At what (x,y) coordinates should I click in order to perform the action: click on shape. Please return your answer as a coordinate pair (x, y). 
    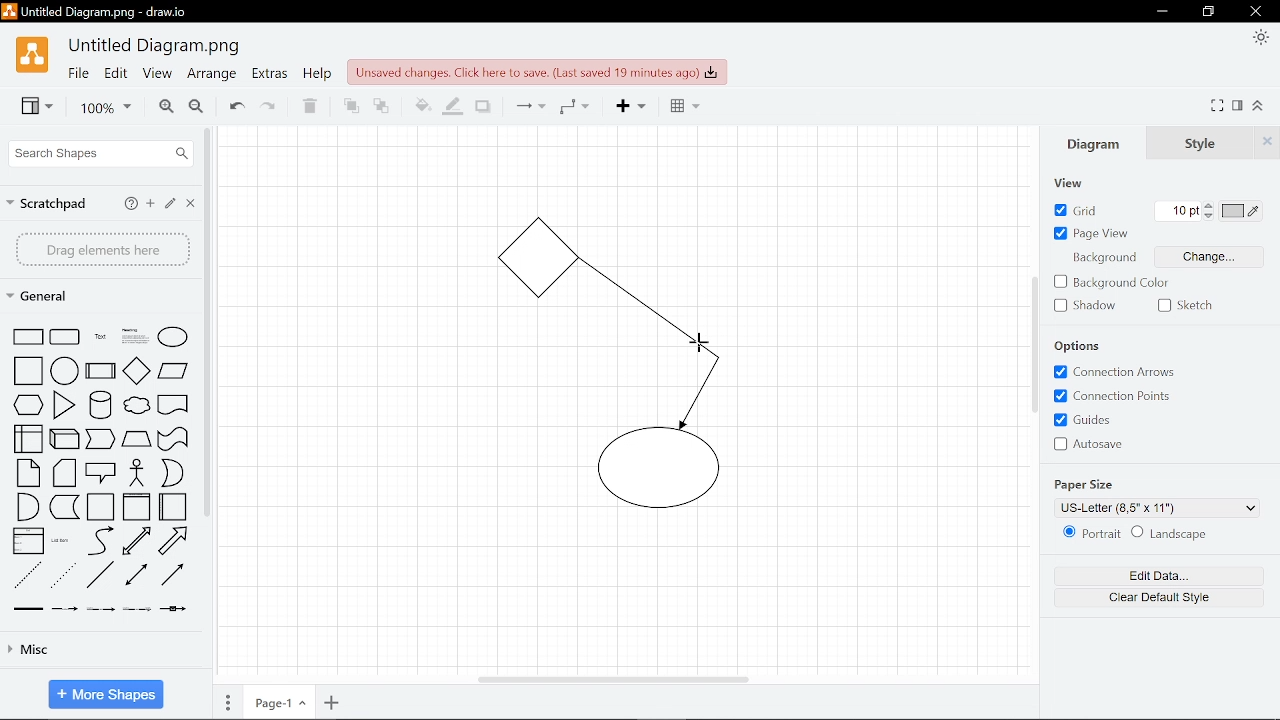
    Looking at the image, I should click on (101, 576).